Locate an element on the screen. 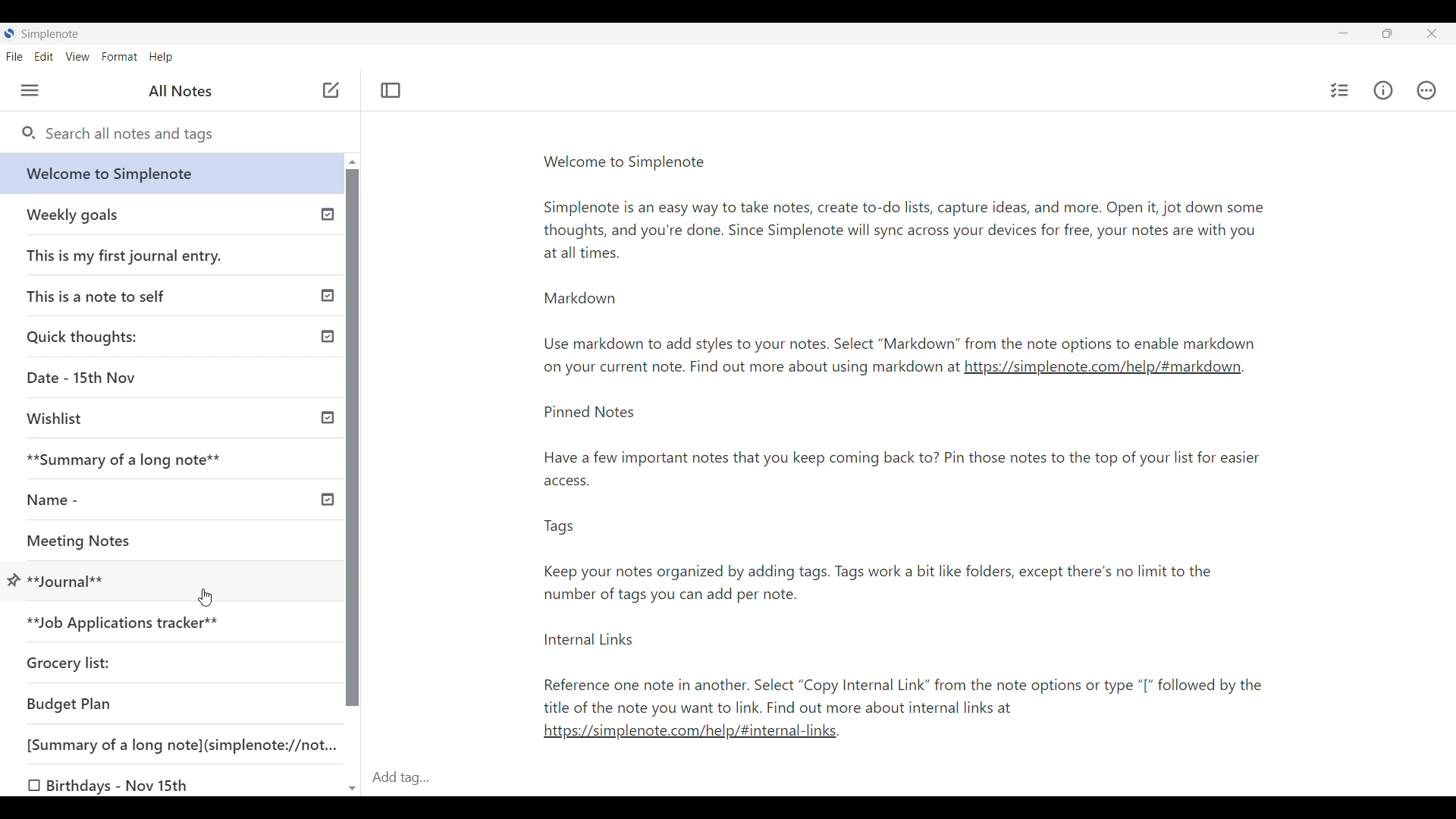 The height and width of the screenshot is (819, 1456). Title of left panel is located at coordinates (180, 91).